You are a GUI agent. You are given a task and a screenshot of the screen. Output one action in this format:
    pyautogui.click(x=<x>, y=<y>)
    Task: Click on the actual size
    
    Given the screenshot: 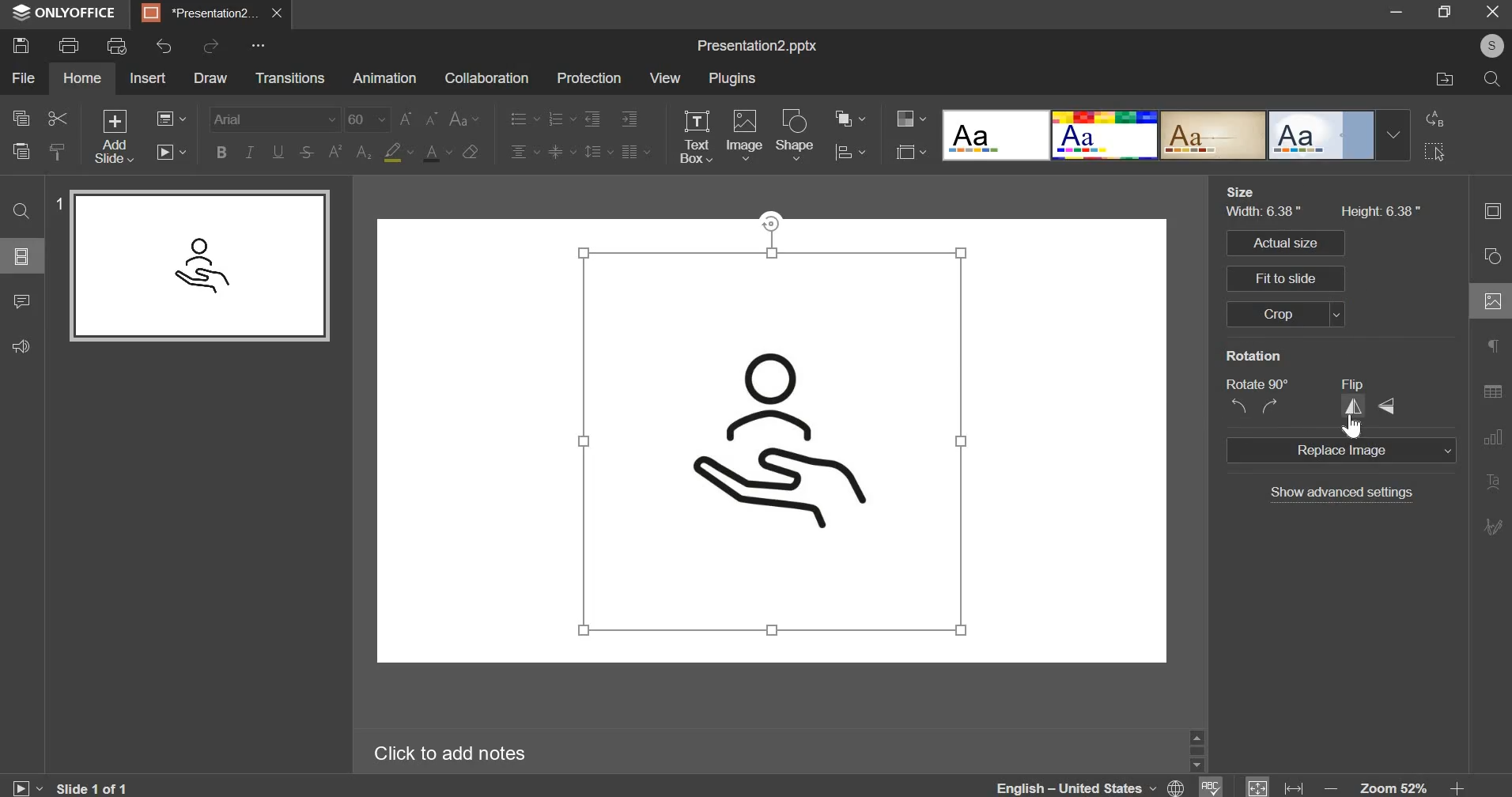 What is the action you would take?
    pyautogui.click(x=1291, y=244)
    